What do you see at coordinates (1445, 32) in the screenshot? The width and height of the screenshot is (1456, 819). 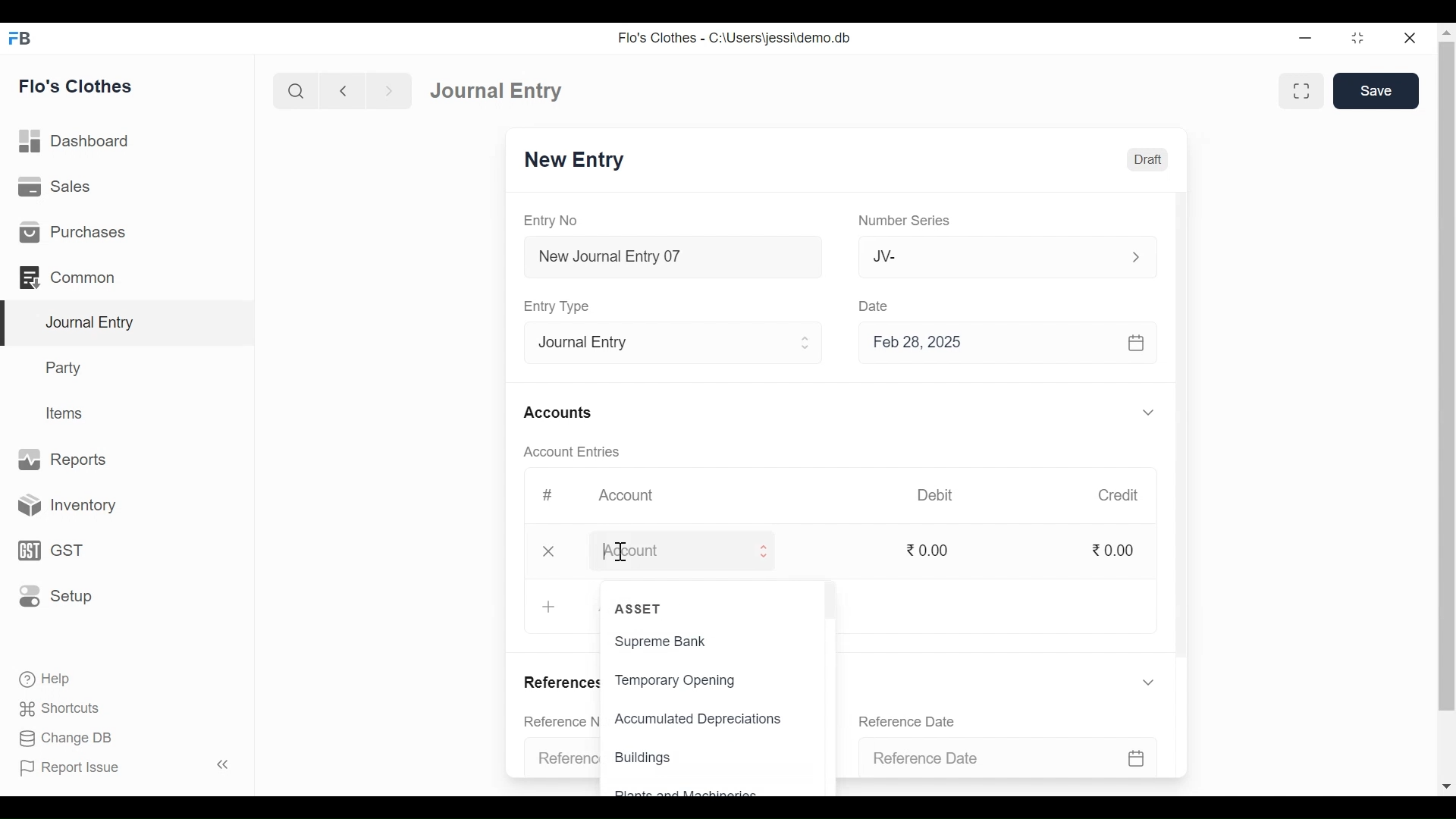 I see `Scroll up` at bounding box center [1445, 32].